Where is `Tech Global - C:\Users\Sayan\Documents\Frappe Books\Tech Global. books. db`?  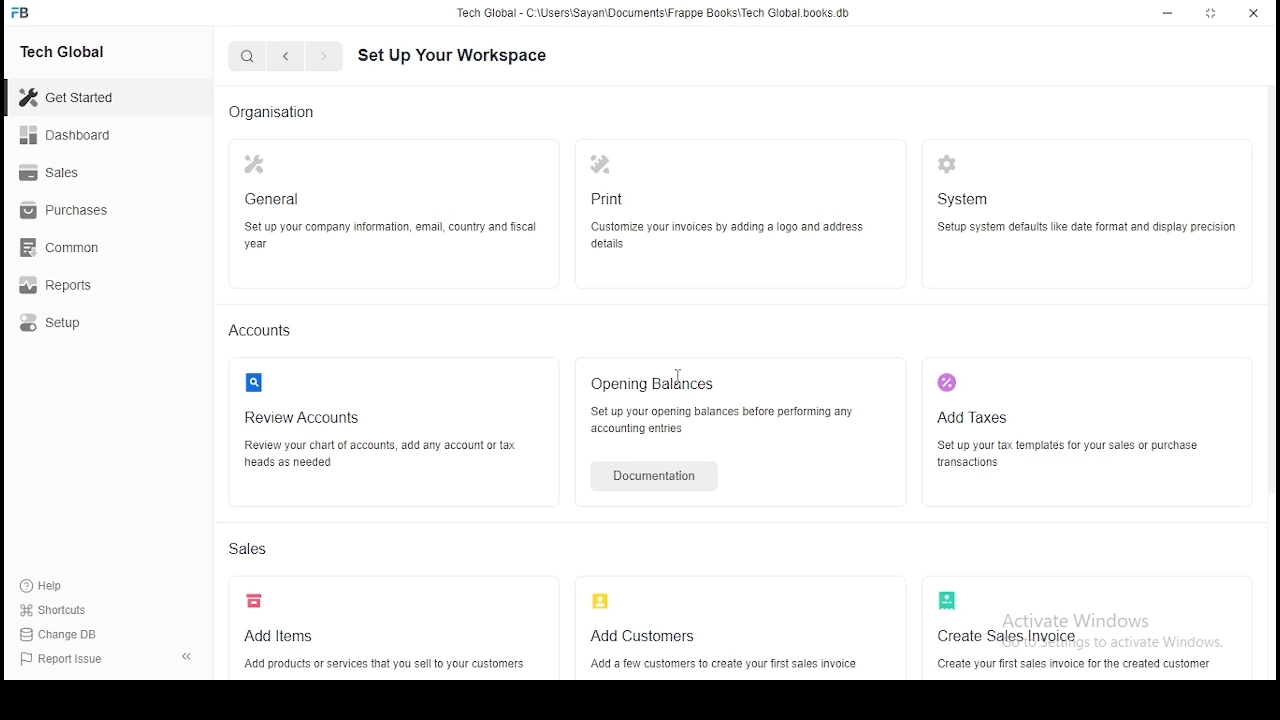
Tech Global - C:\Users\Sayan\Documents\Frappe Books\Tech Global. books. db is located at coordinates (653, 16).